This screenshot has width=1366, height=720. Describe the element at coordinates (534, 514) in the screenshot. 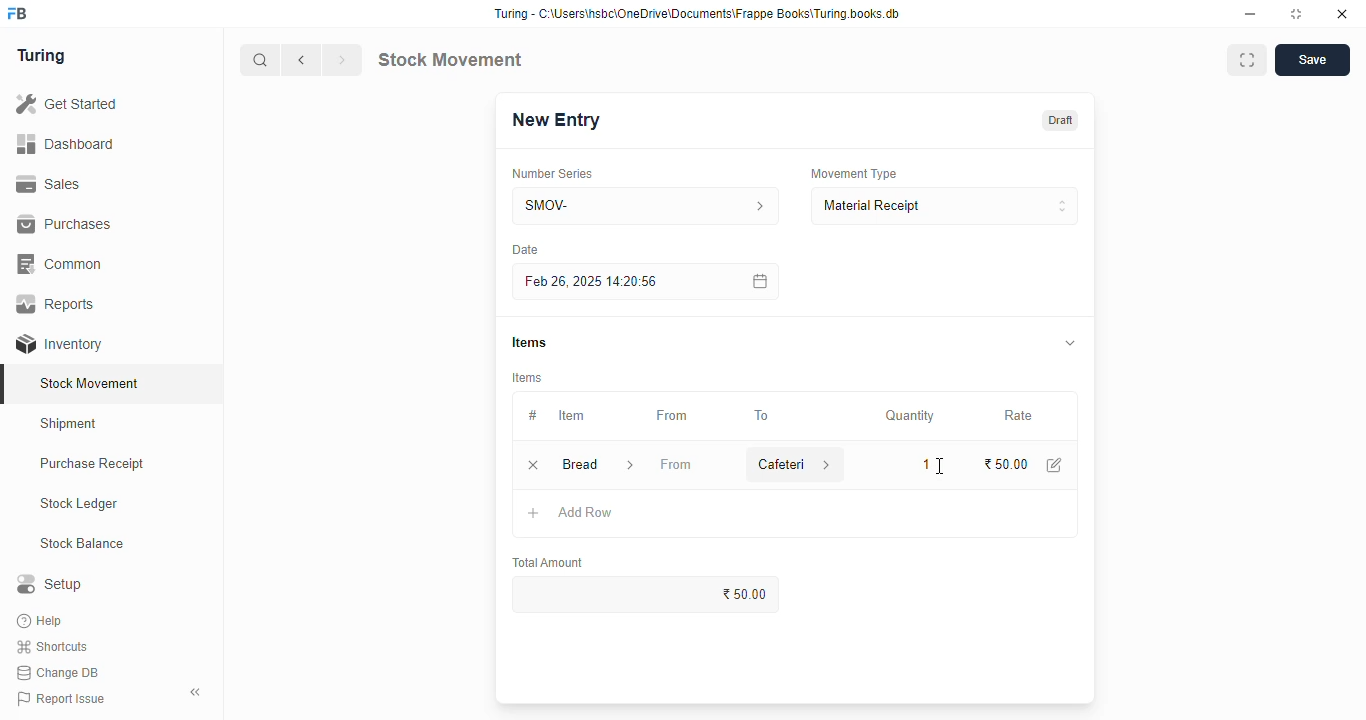

I see `add` at that location.